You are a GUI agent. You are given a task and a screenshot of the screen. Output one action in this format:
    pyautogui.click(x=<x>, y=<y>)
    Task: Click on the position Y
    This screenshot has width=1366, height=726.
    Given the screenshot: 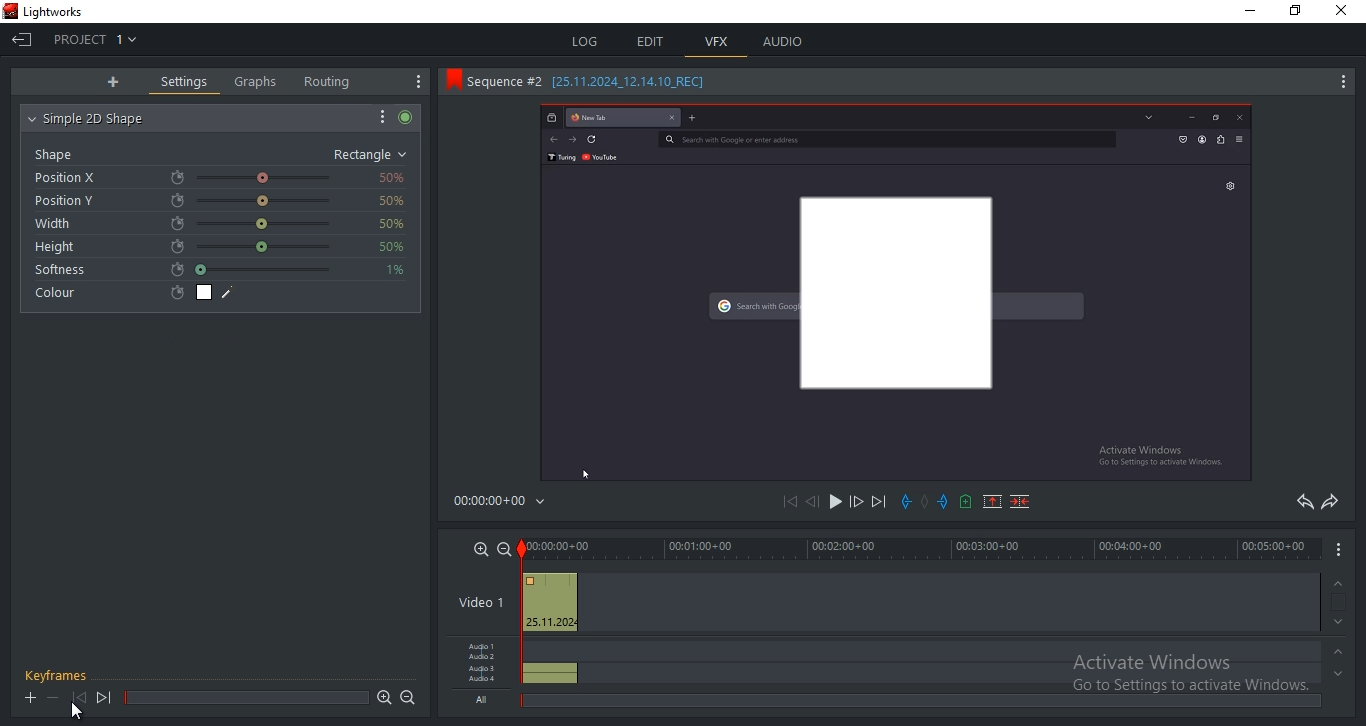 What is the action you would take?
    pyautogui.click(x=222, y=201)
    